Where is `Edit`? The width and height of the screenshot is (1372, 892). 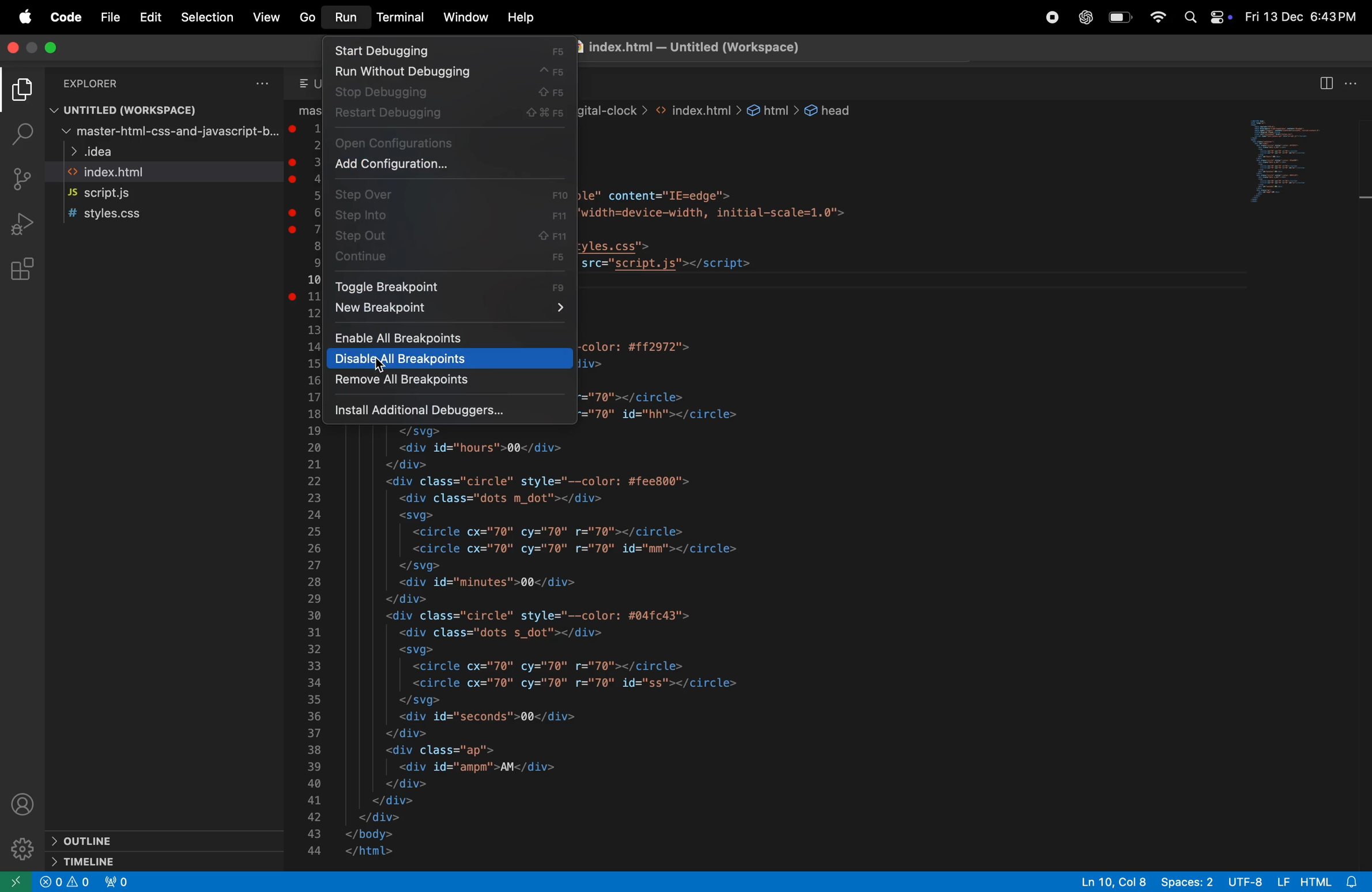
Edit is located at coordinates (151, 17).